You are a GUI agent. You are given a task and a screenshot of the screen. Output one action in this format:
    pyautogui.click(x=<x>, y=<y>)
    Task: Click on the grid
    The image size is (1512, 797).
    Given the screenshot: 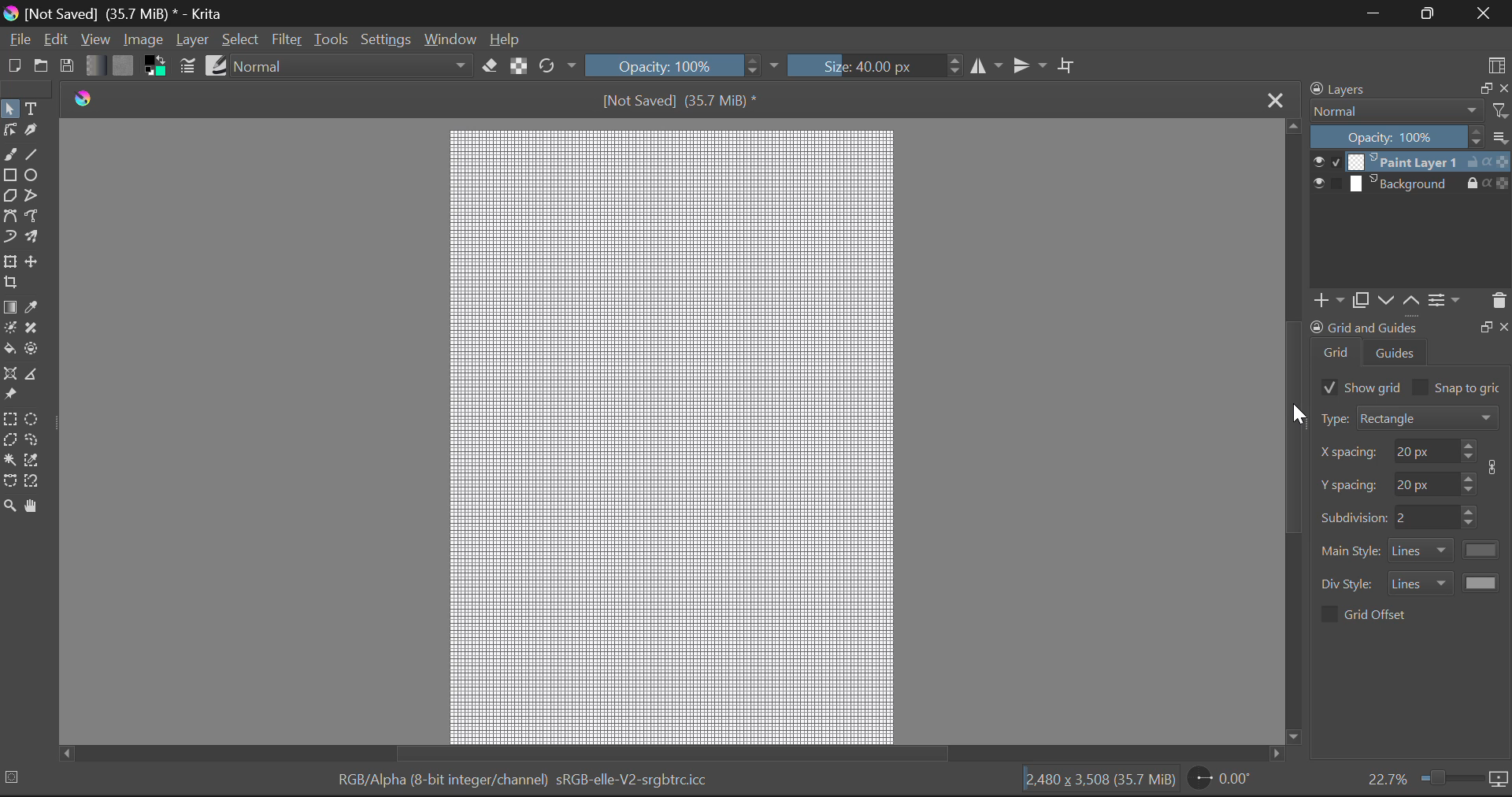 What is the action you would take?
    pyautogui.click(x=1337, y=352)
    